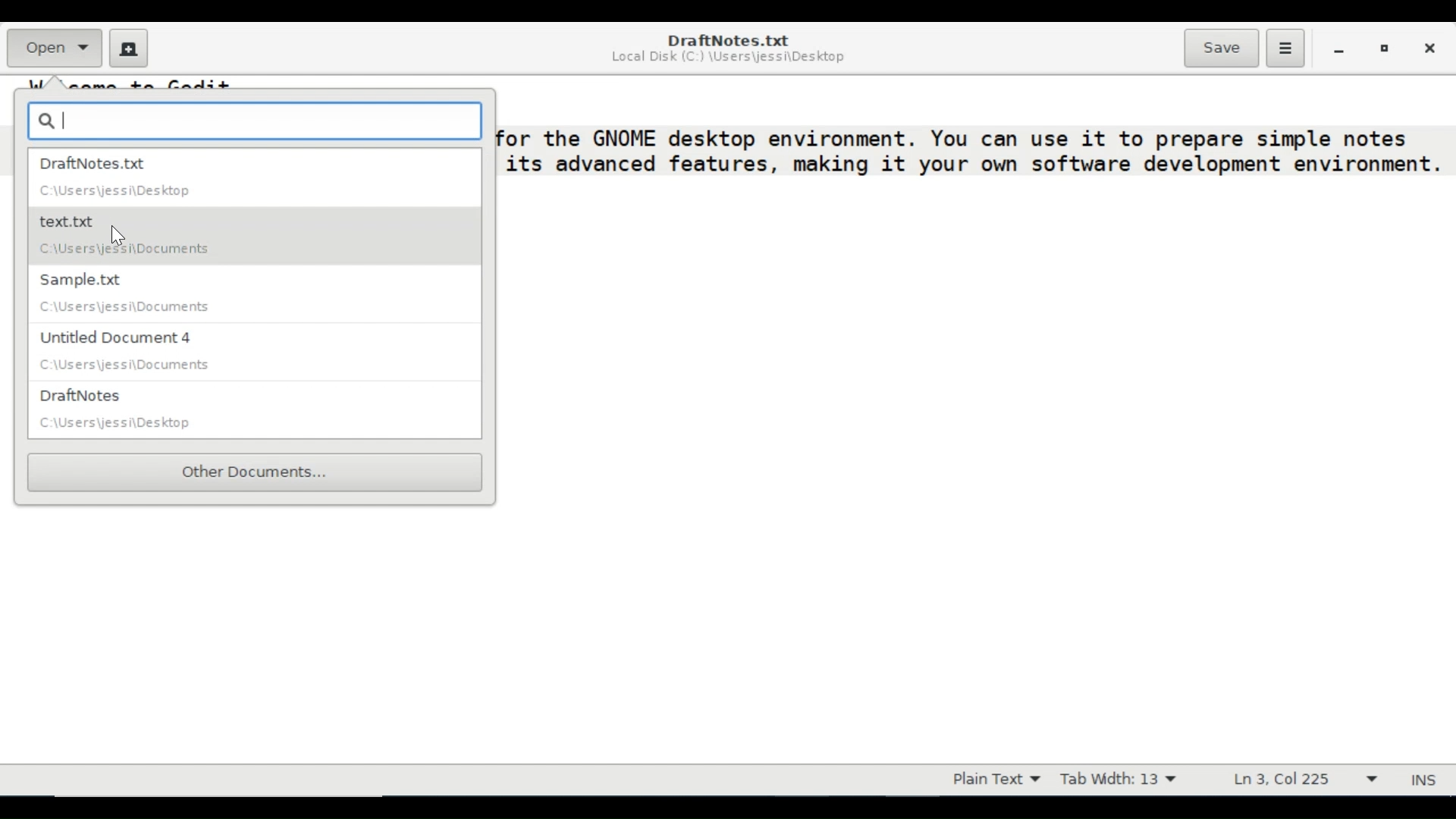 The height and width of the screenshot is (819, 1456). Describe the element at coordinates (993, 780) in the screenshot. I see `File type` at that location.